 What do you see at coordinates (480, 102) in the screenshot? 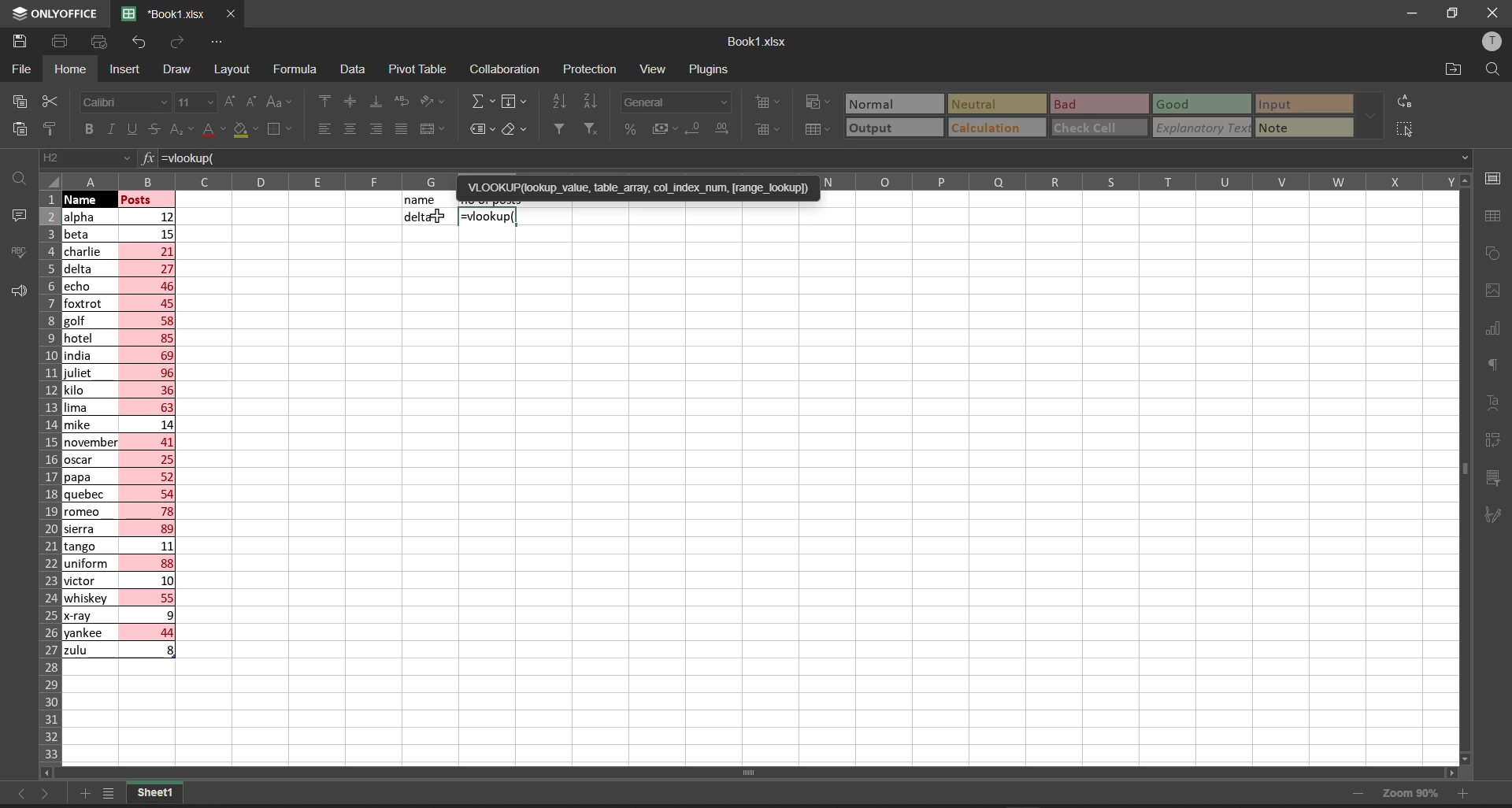
I see `summation` at bounding box center [480, 102].